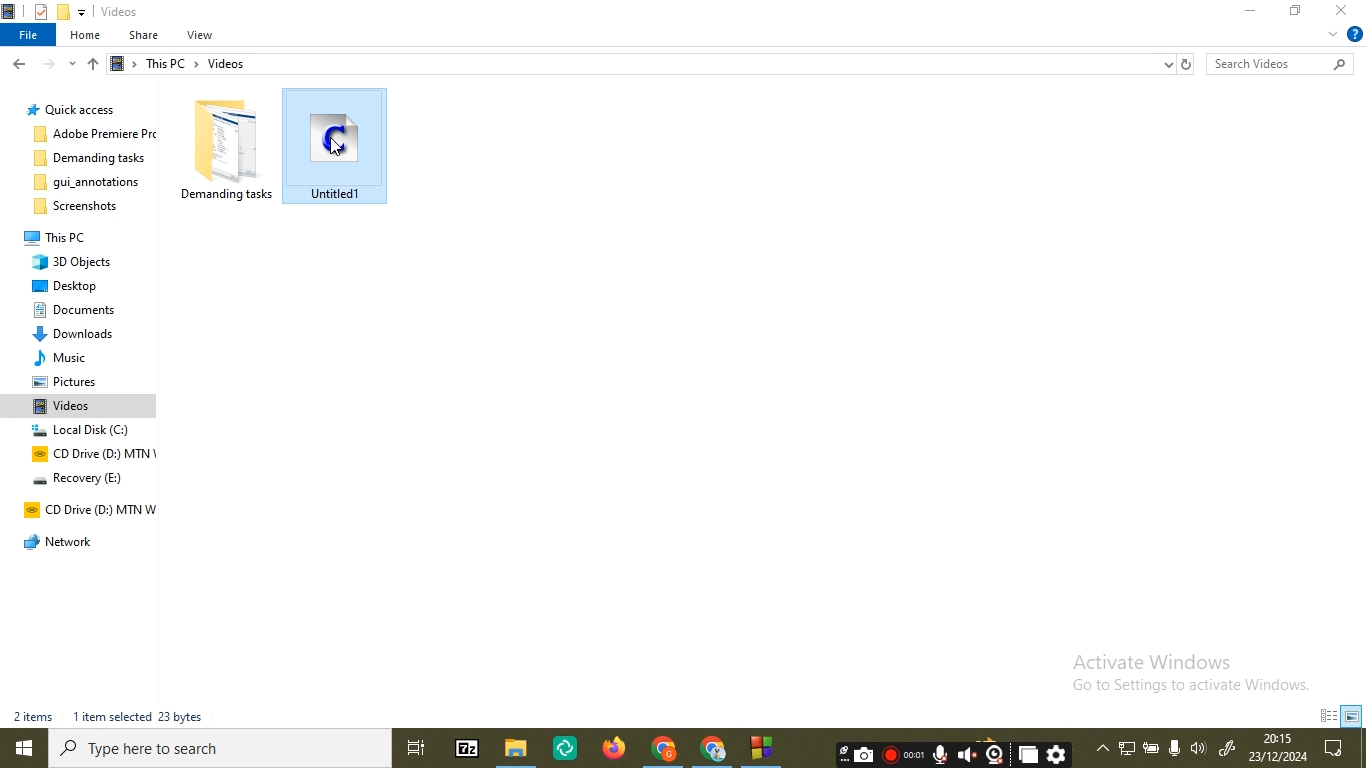 This screenshot has height=768, width=1366. I want to click on folder, so click(88, 137).